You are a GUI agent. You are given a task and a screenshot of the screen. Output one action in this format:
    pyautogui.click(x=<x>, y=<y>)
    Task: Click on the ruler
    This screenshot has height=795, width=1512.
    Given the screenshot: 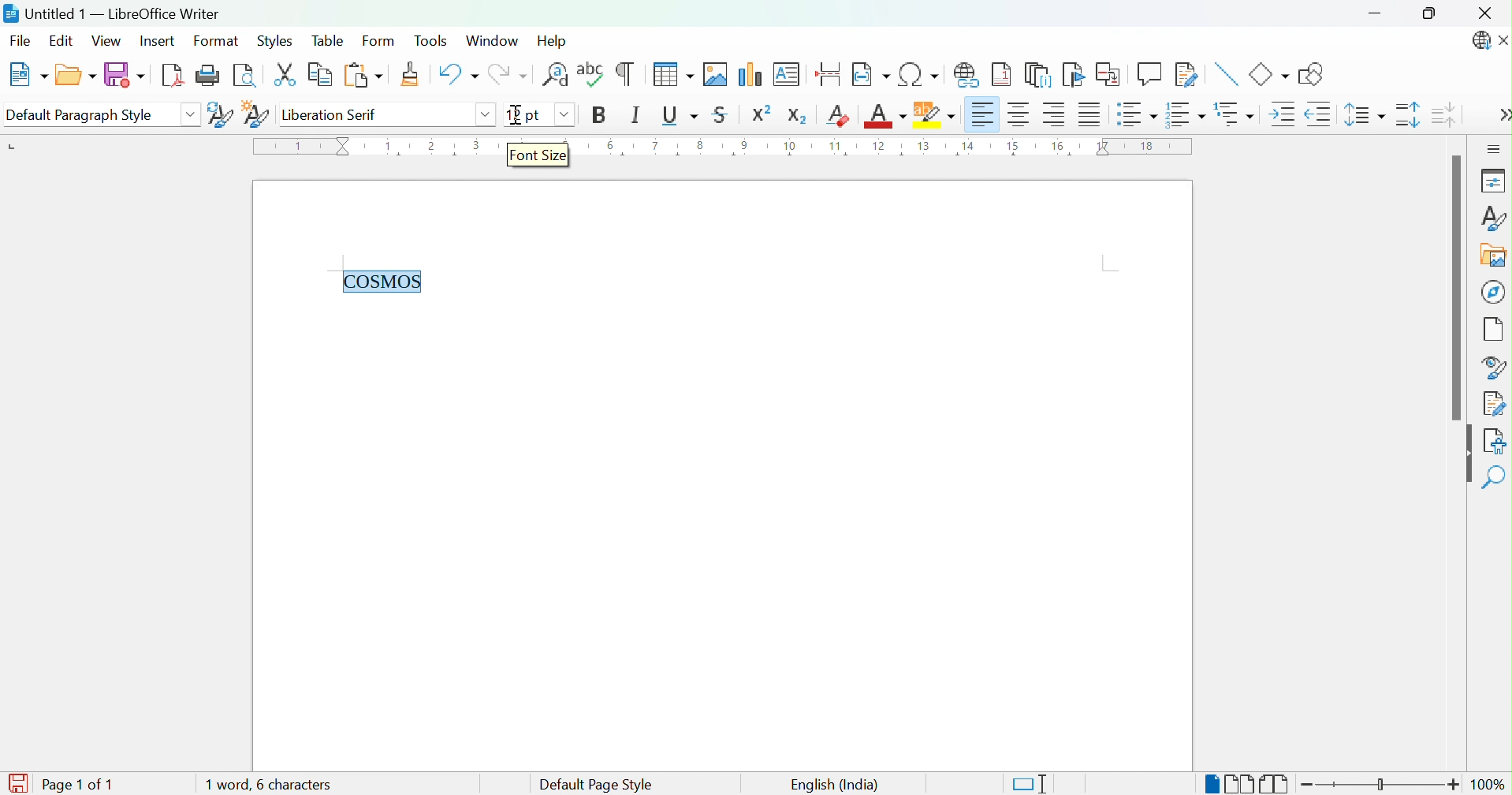 What is the action you would take?
    pyautogui.click(x=892, y=149)
    